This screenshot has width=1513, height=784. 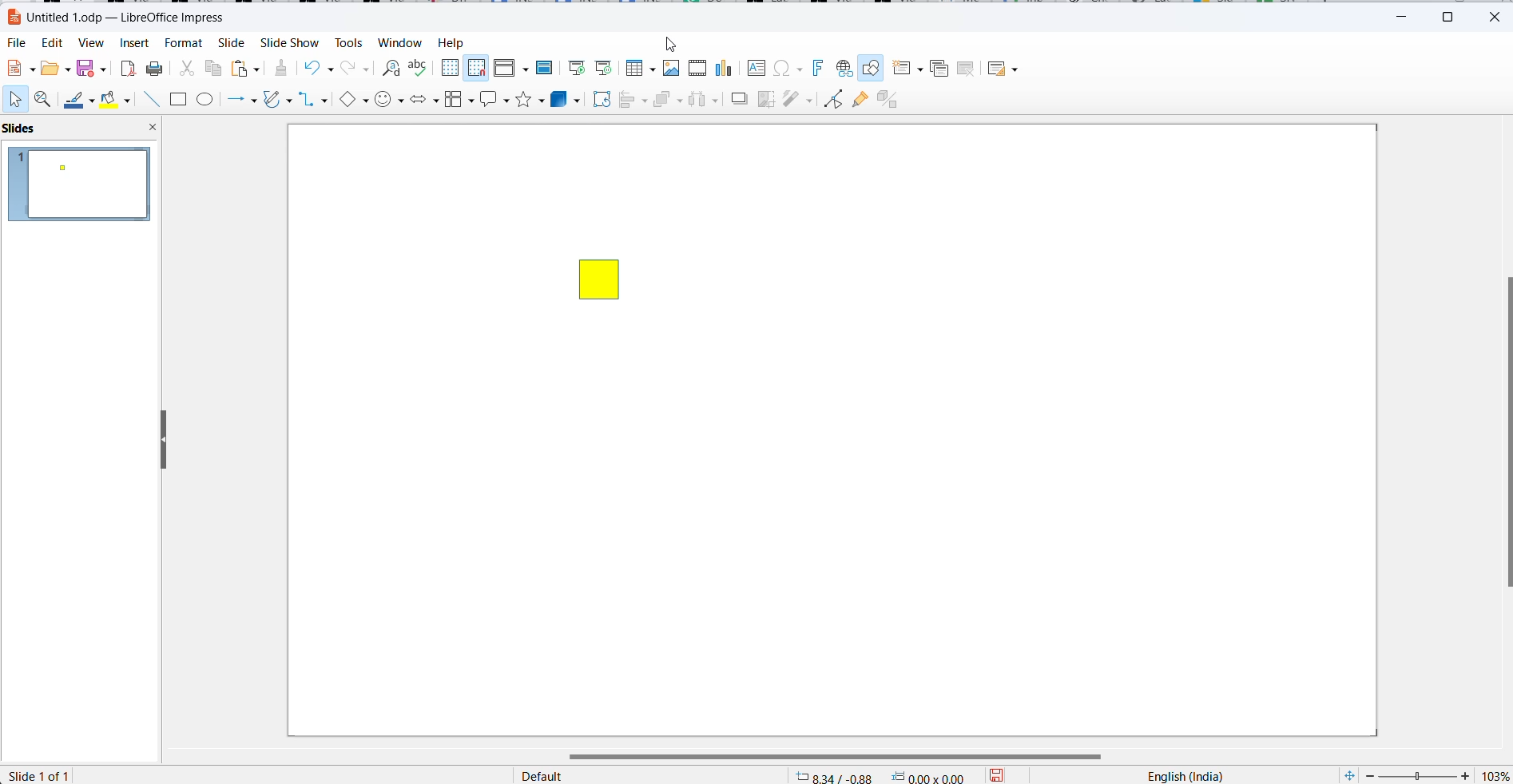 I want to click on slide preview, so click(x=81, y=184).